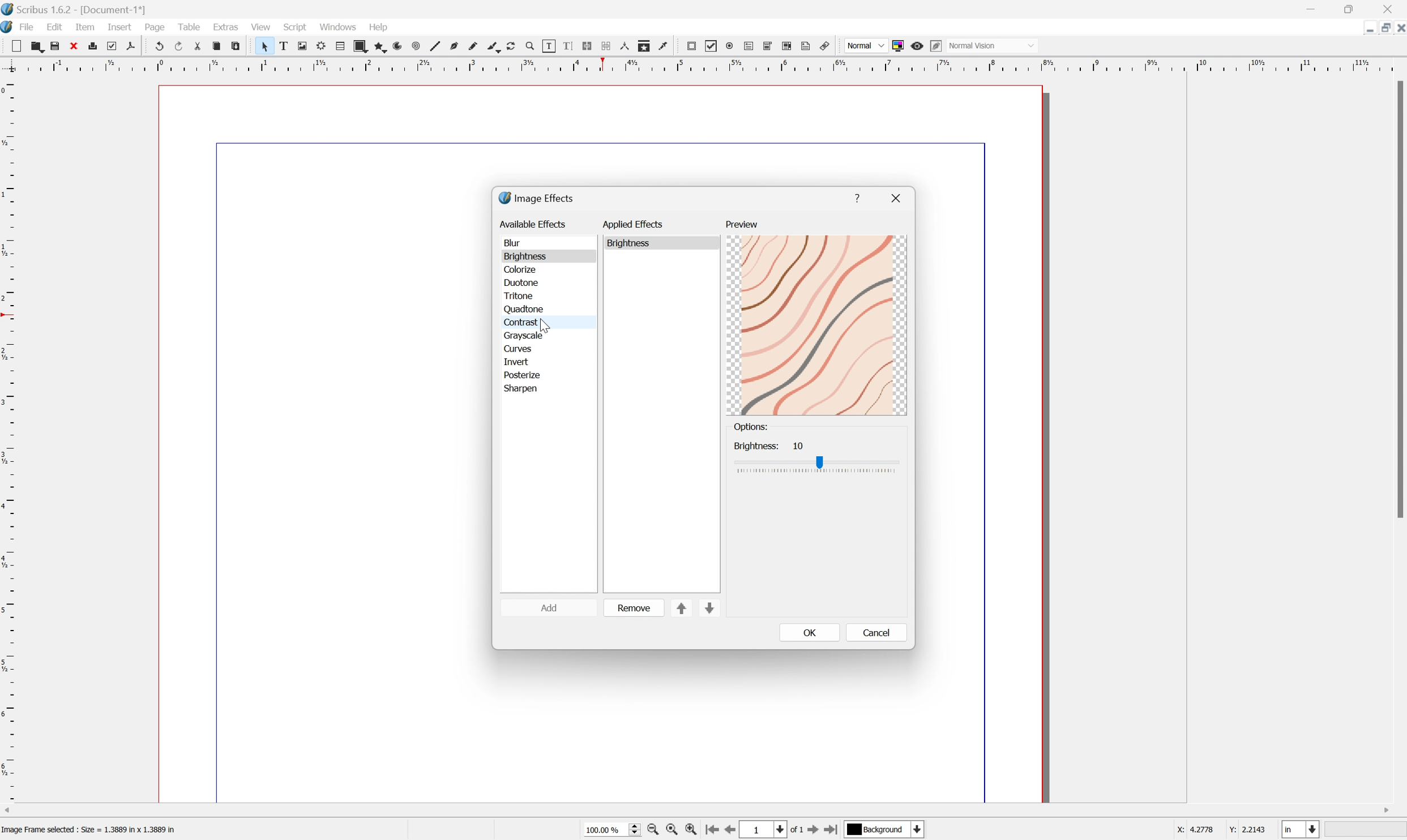 The width and height of the screenshot is (1407, 840). What do you see at coordinates (457, 44) in the screenshot?
I see `Bezier curve` at bounding box center [457, 44].